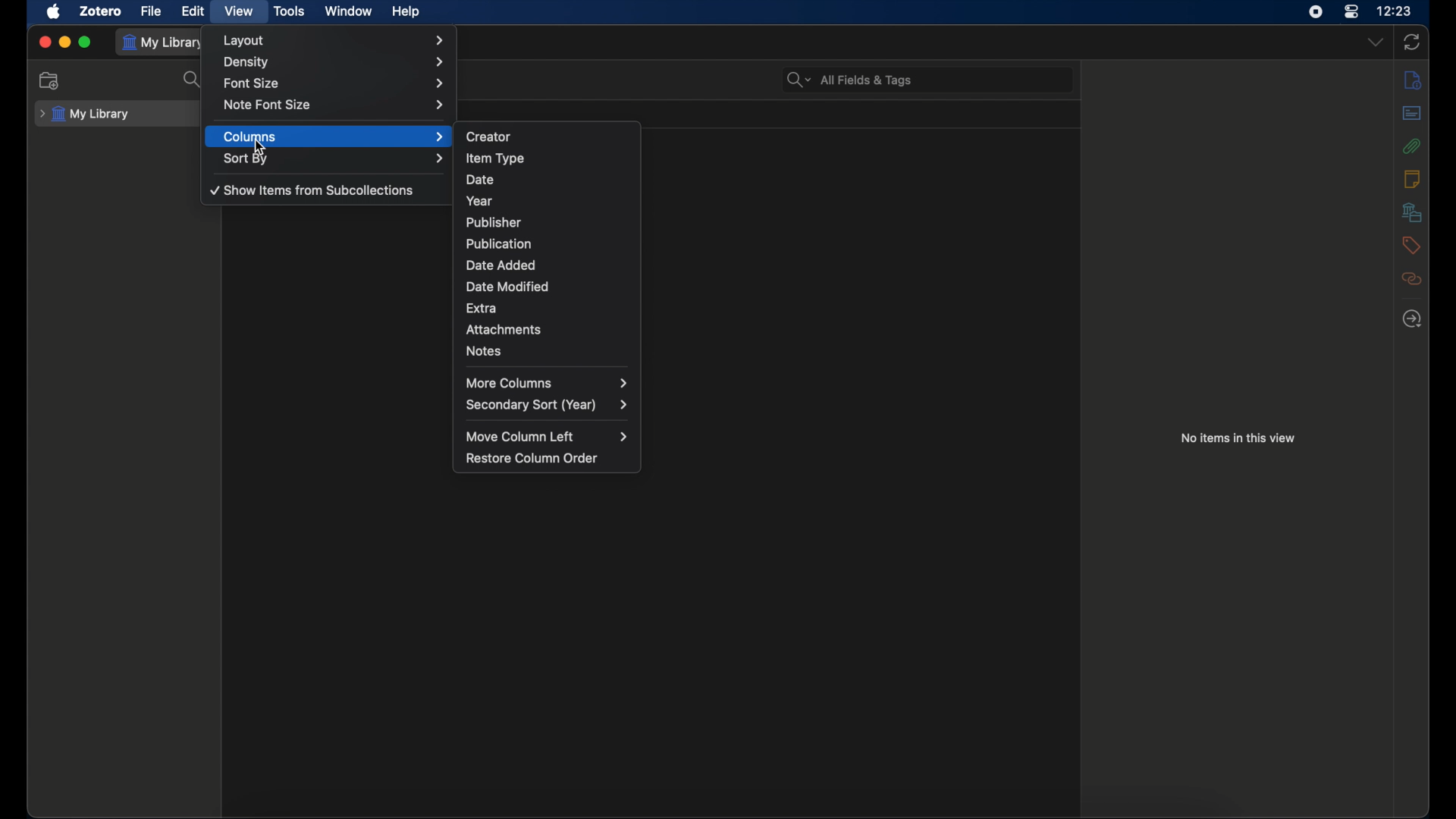  Describe the element at coordinates (54, 12) in the screenshot. I see `apple` at that location.